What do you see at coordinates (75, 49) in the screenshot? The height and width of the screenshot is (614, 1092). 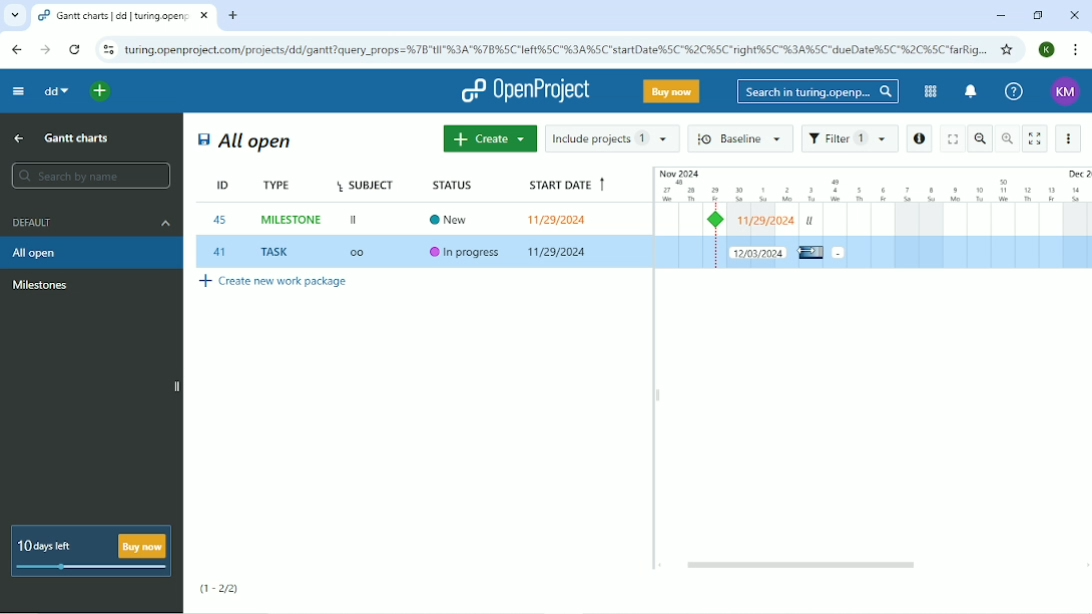 I see `Reload this page` at bounding box center [75, 49].